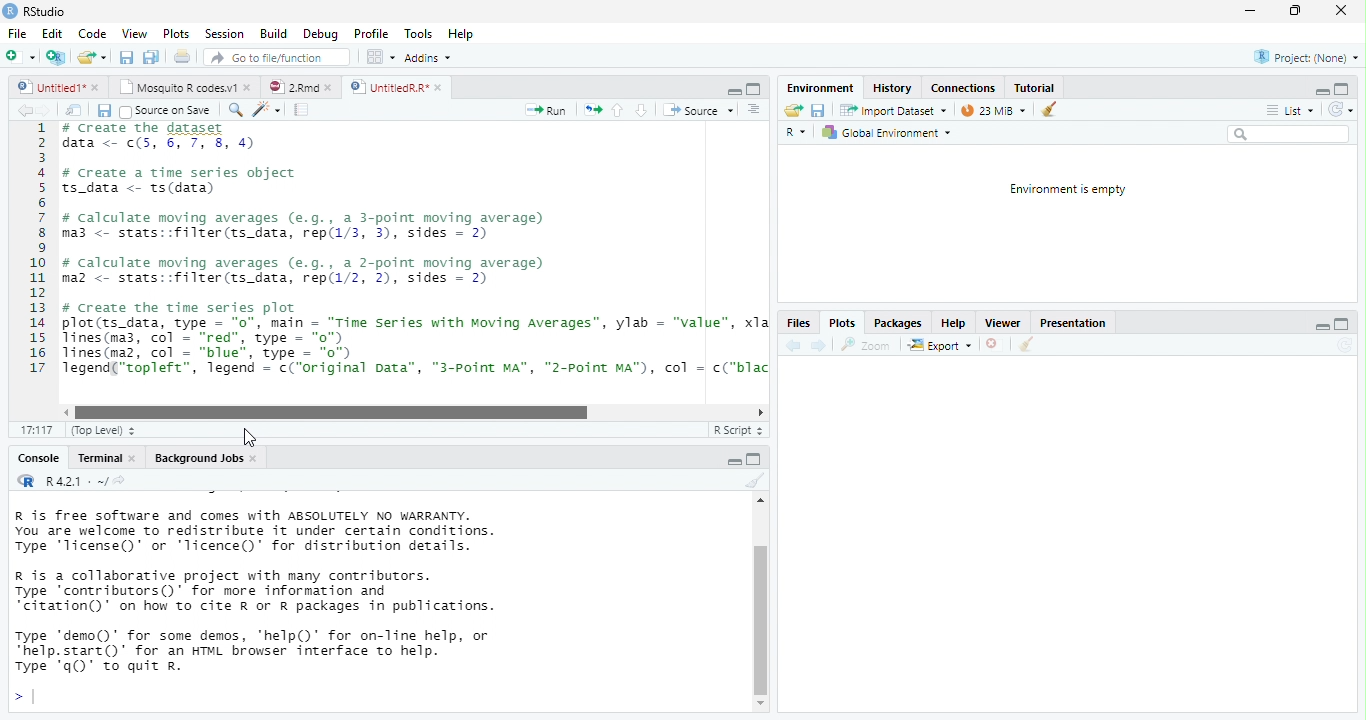  I want to click on Mosquito R codes.v1, so click(180, 86).